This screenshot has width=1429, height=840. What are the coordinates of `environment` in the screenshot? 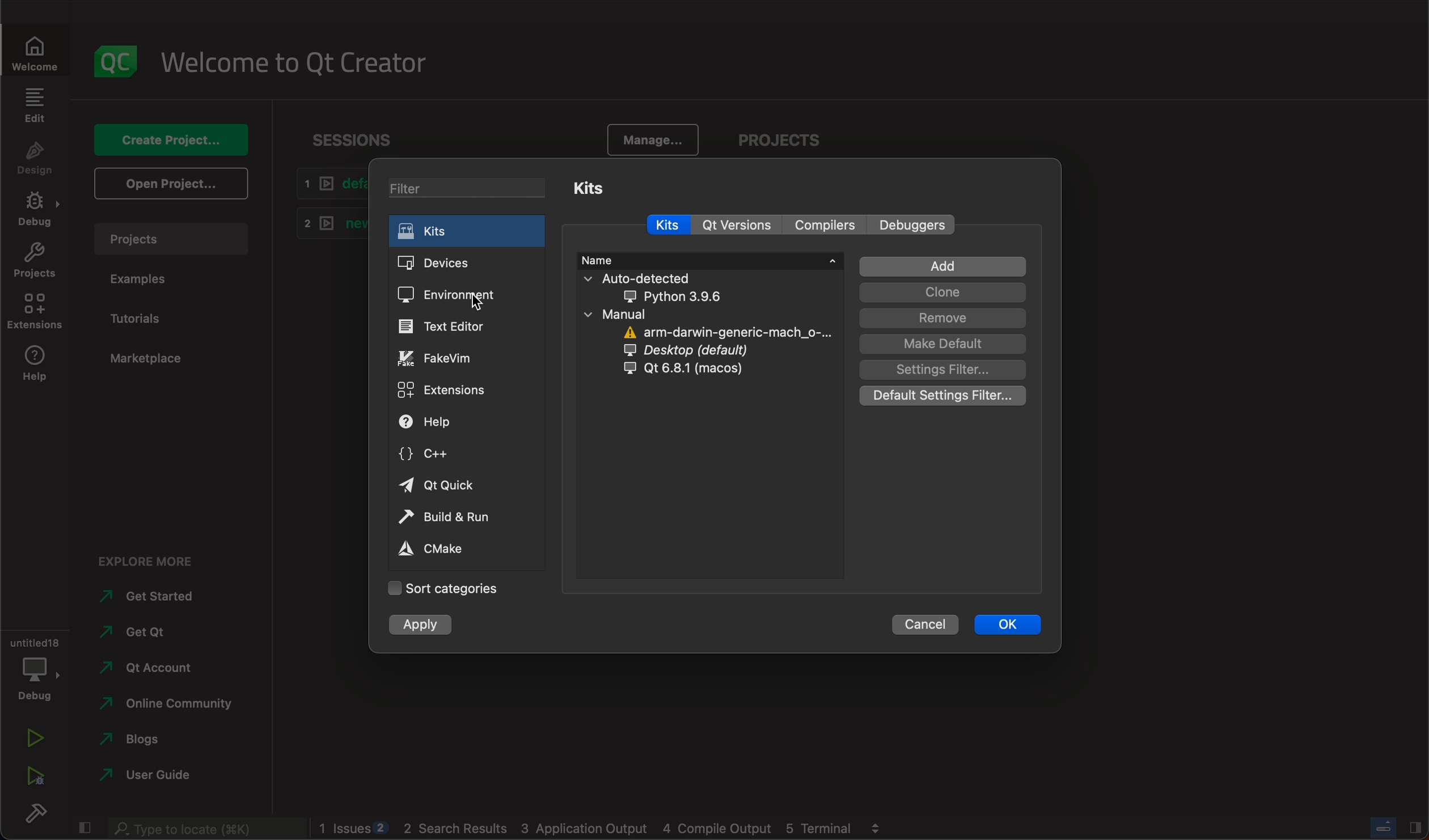 It's located at (453, 296).